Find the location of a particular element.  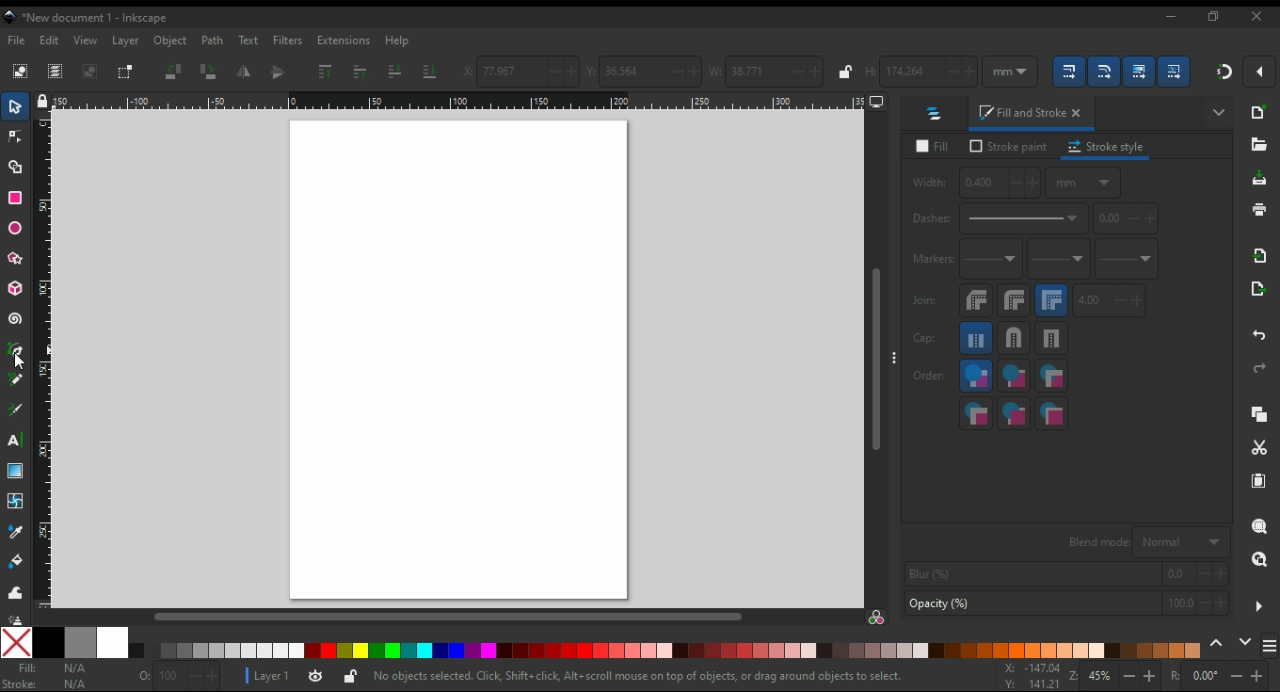

mid marker is located at coordinates (1061, 264).